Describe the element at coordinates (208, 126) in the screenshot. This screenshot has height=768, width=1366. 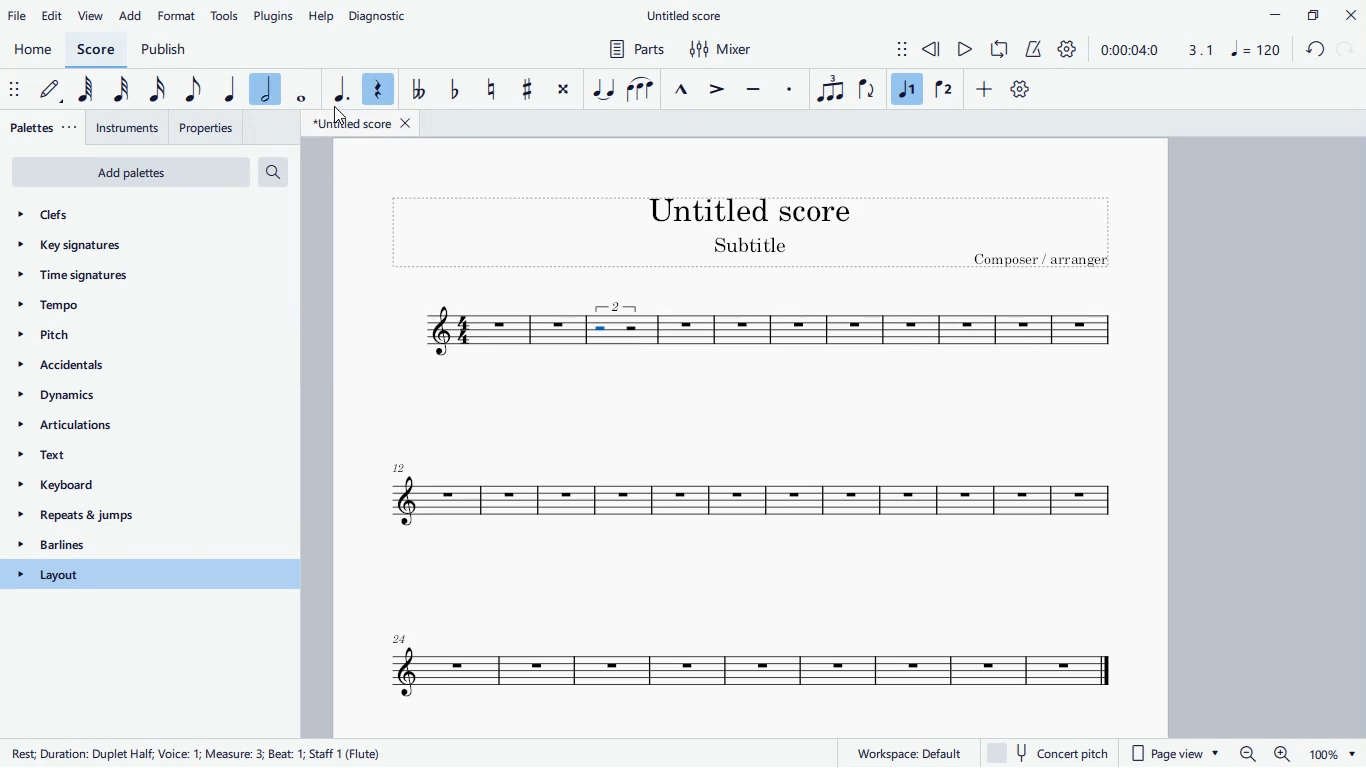
I see `properties` at that location.